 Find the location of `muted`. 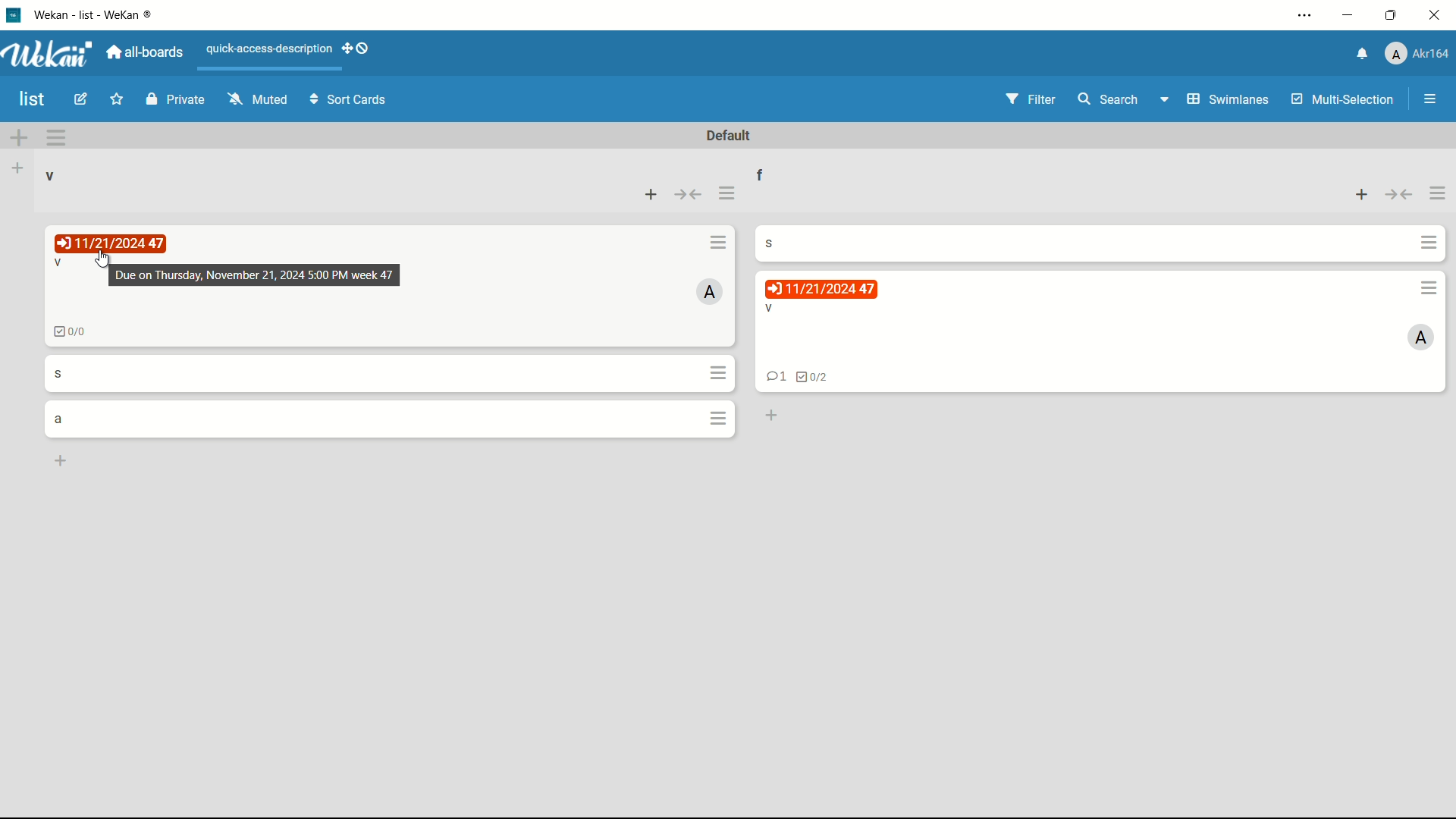

muted is located at coordinates (258, 100).